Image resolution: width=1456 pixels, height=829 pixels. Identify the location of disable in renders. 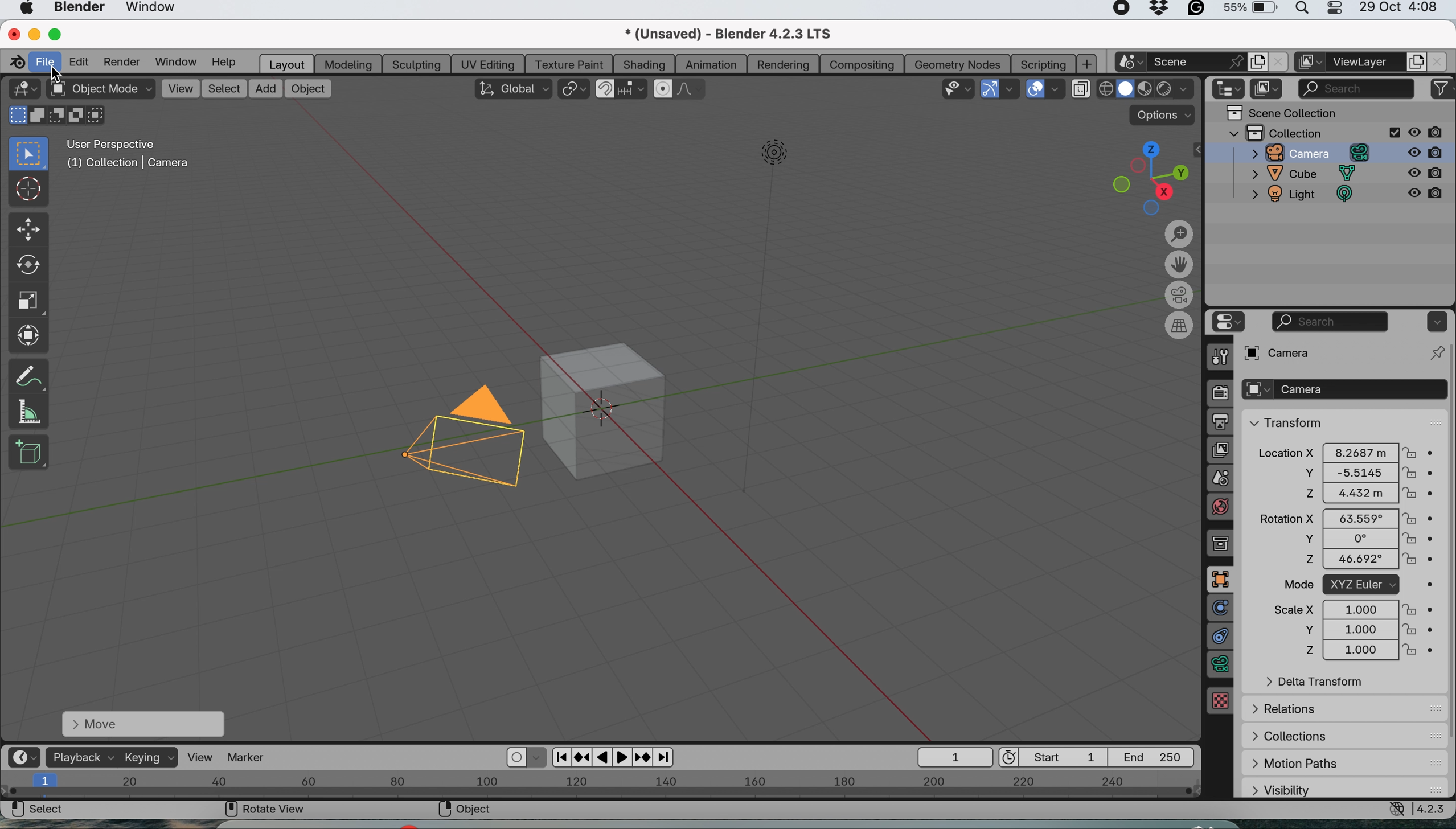
(1428, 132).